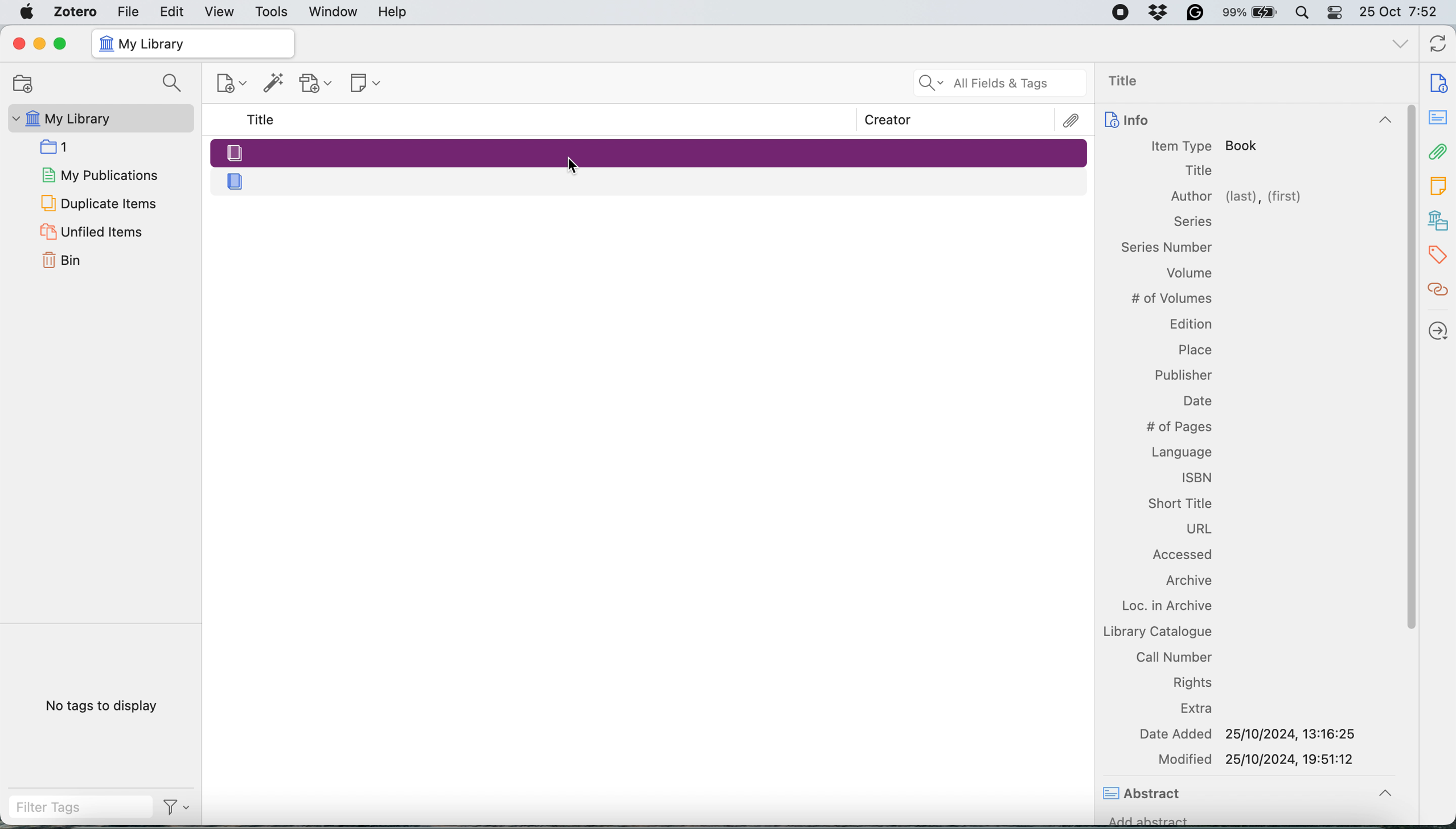 This screenshot has width=1456, height=829. I want to click on Abstract, so click(1145, 795).